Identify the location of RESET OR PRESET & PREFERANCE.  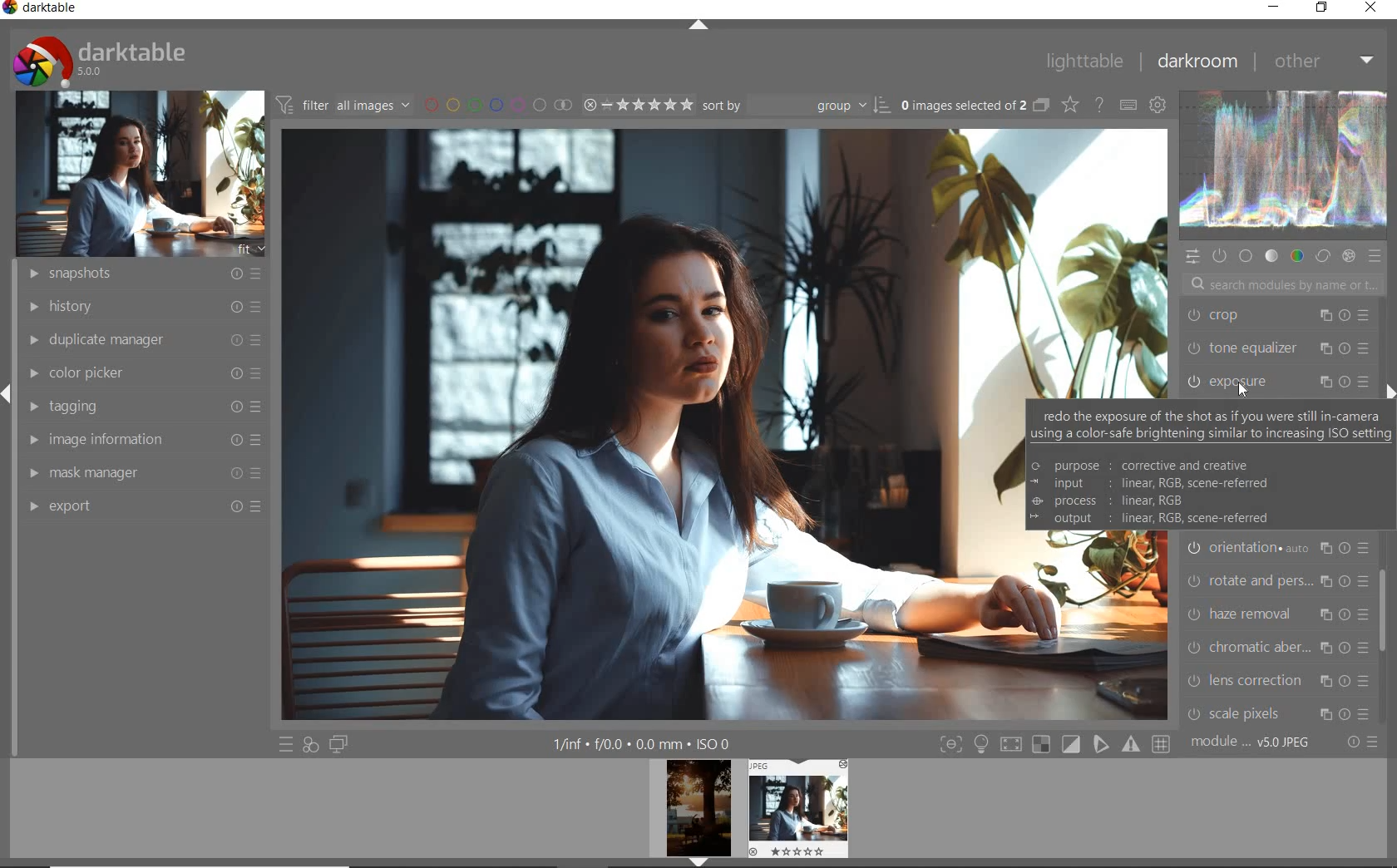
(1360, 745).